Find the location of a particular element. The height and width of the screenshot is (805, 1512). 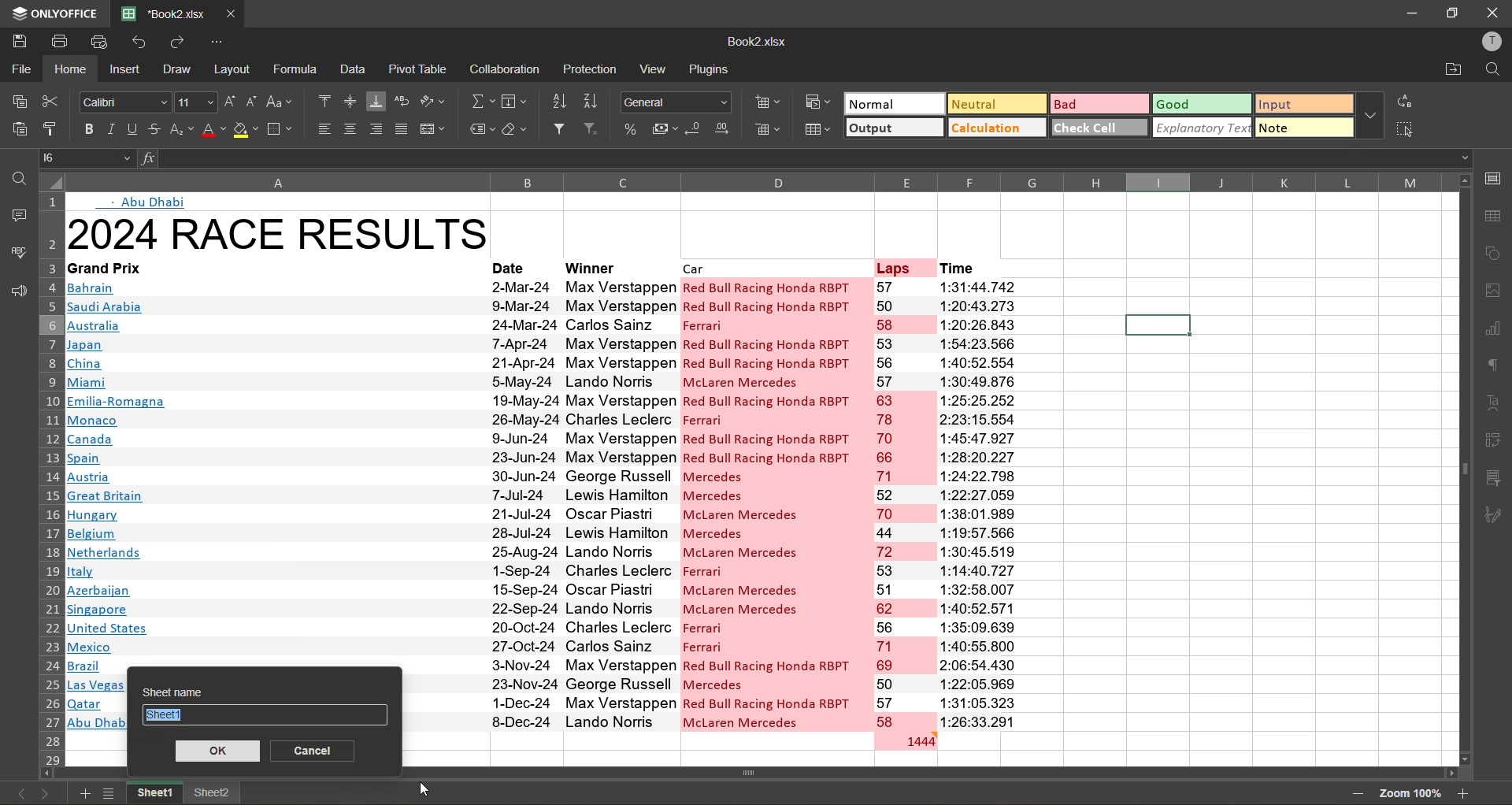

file name is located at coordinates (754, 41).